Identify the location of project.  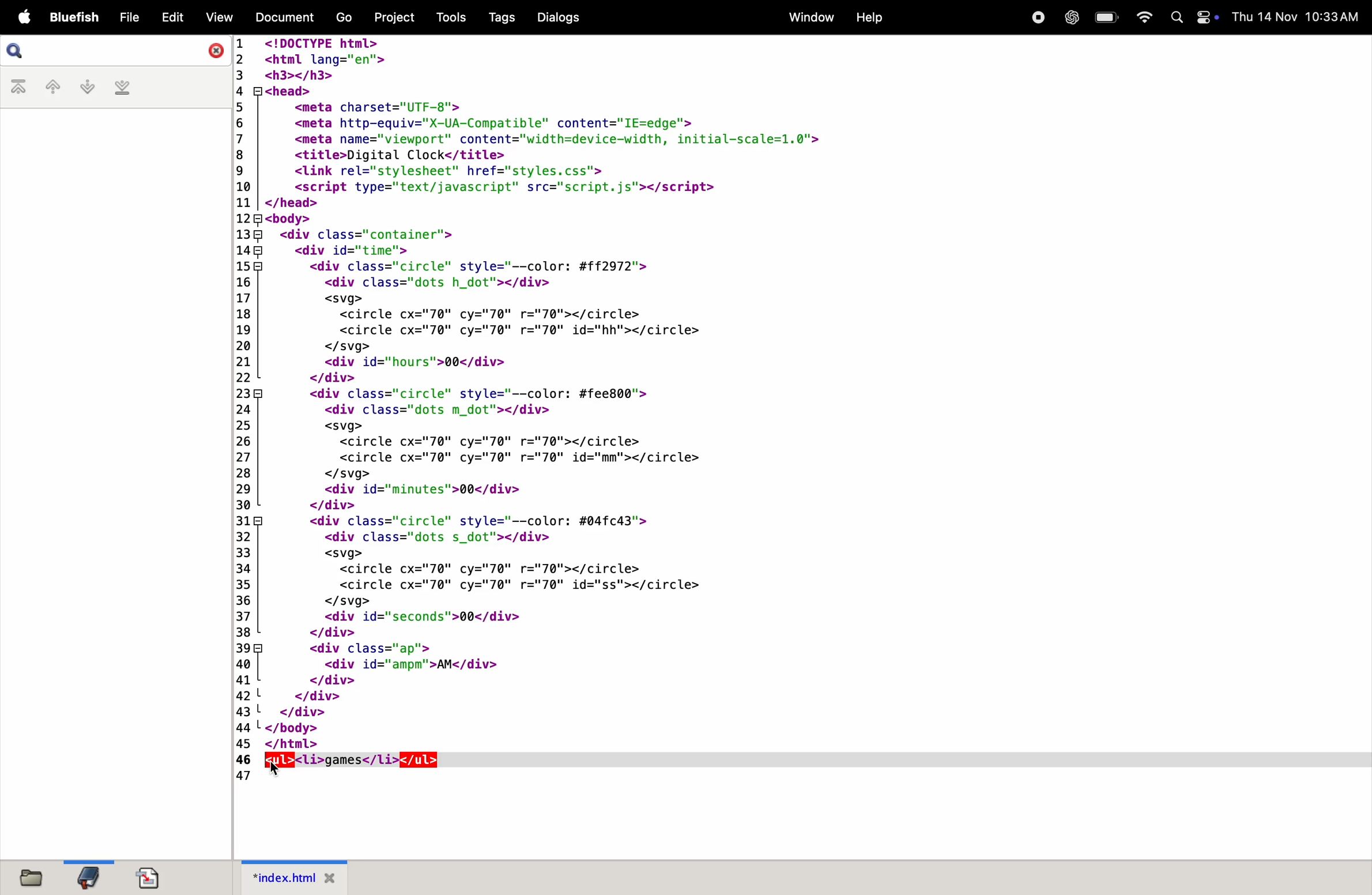
(396, 17).